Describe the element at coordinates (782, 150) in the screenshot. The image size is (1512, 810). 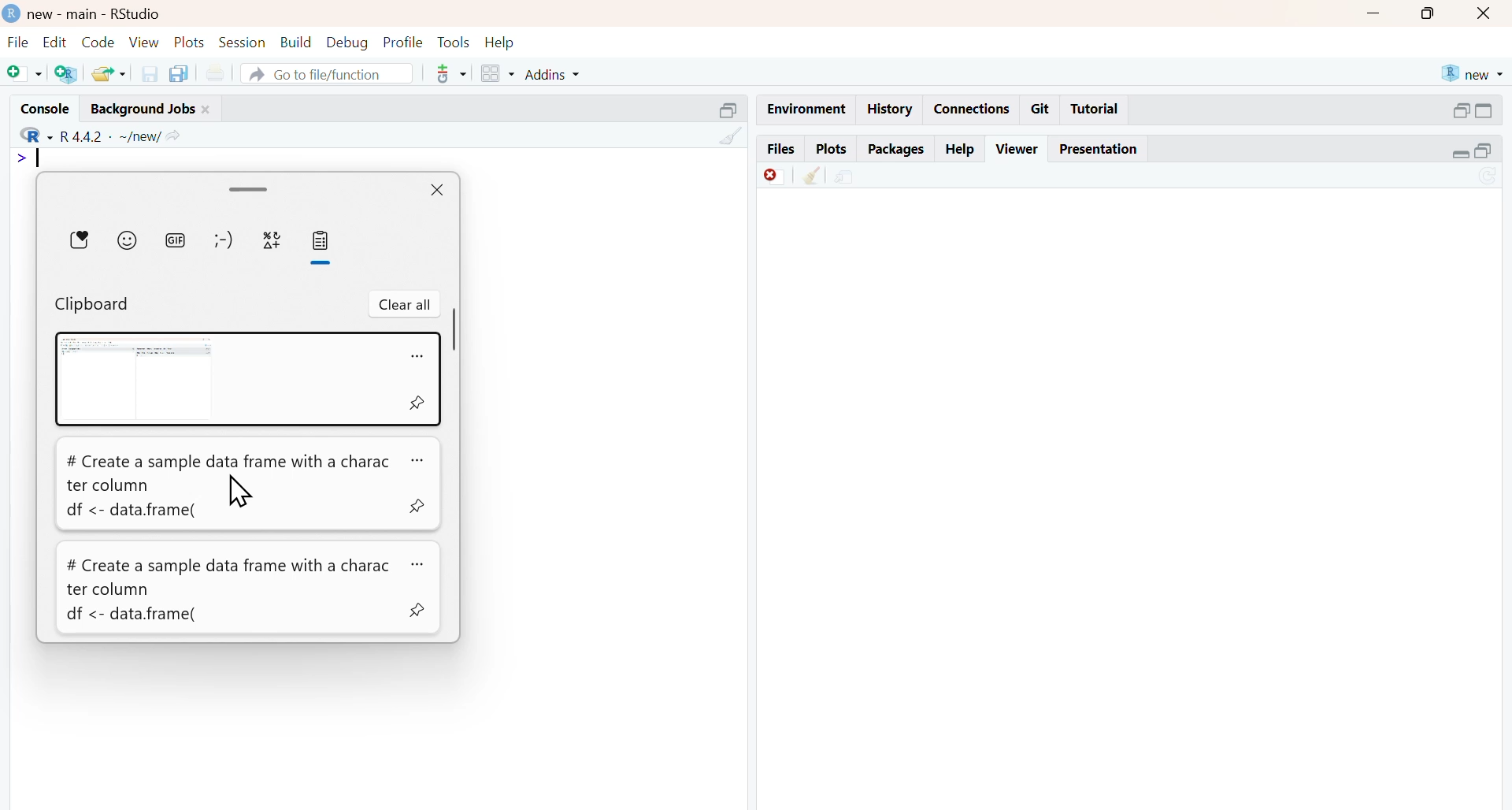
I see `files` at that location.